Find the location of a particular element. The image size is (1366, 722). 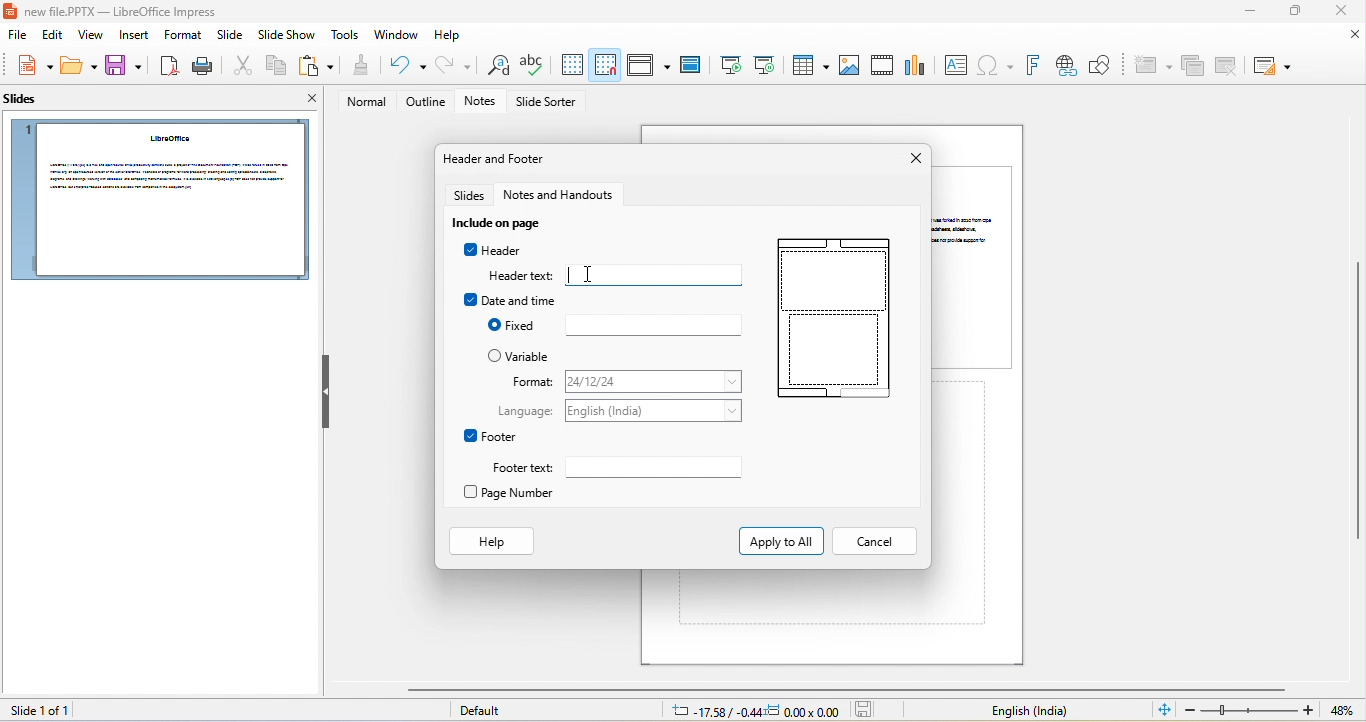

text box is located at coordinates (955, 65).